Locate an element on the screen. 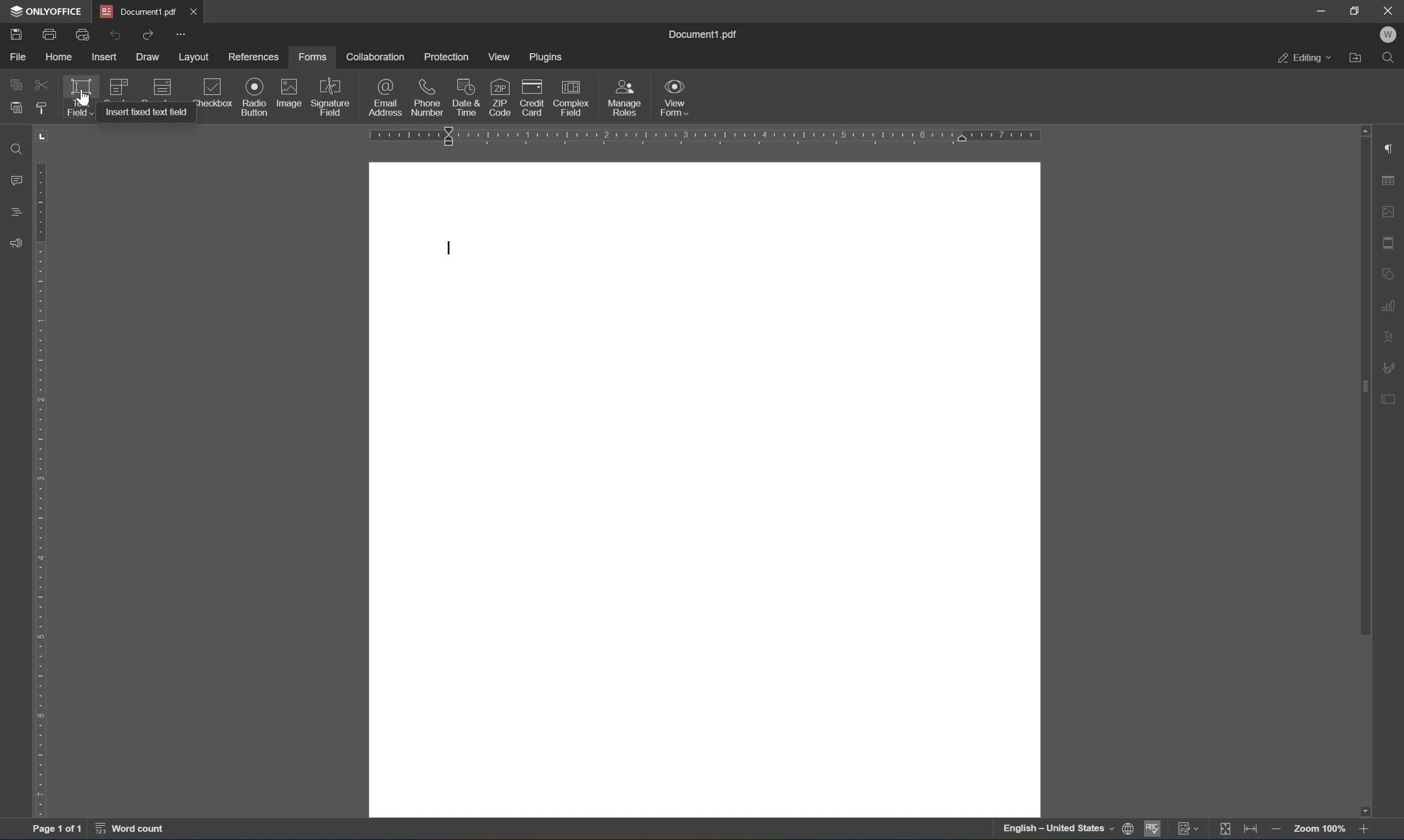 The image size is (1404, 840). headings is located at coordinates (14, 212).